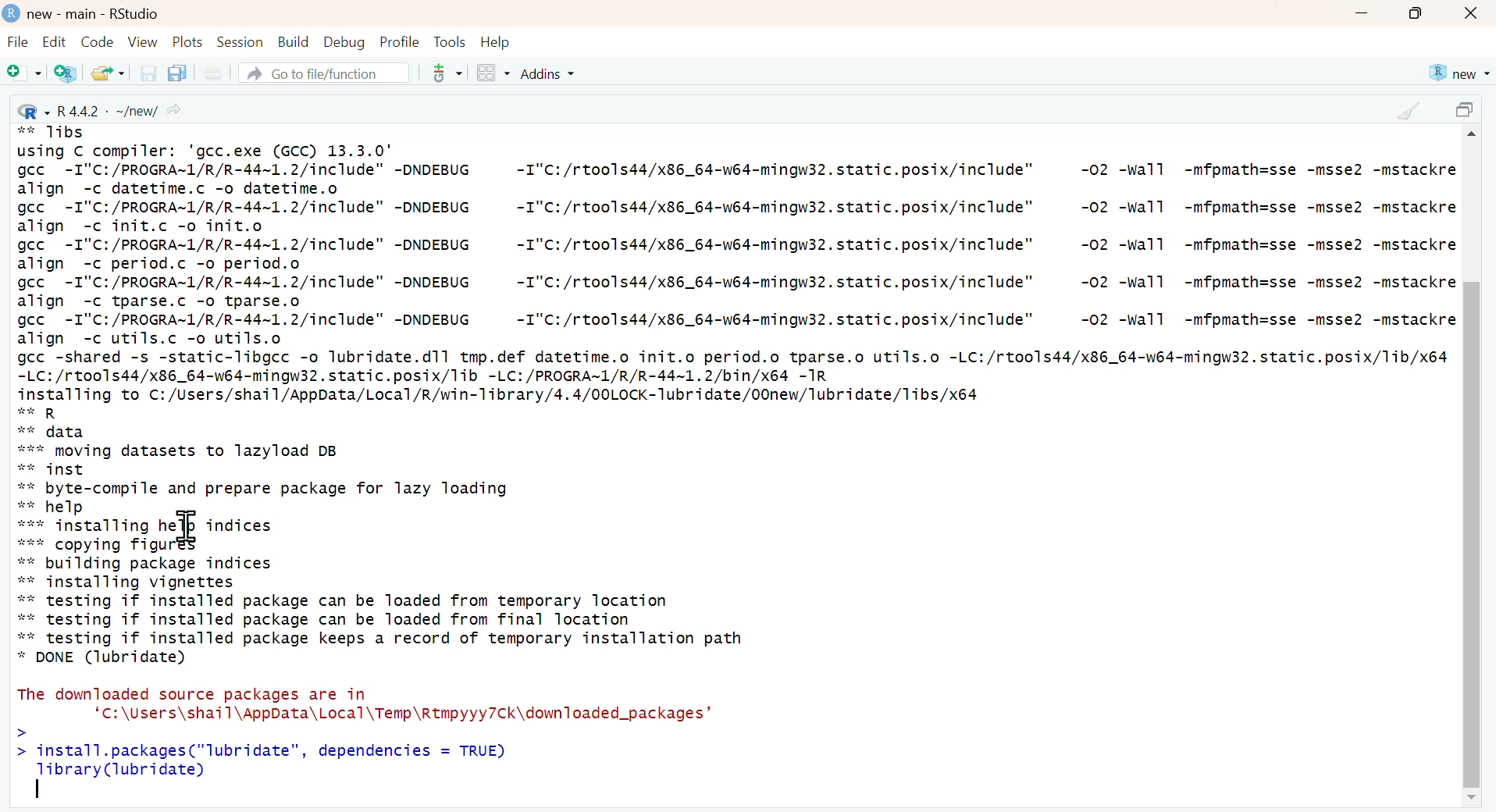  What do you see at coordinates (1473, 14) in the screenshot?
I see `close` at bounding box center [1473, 14].